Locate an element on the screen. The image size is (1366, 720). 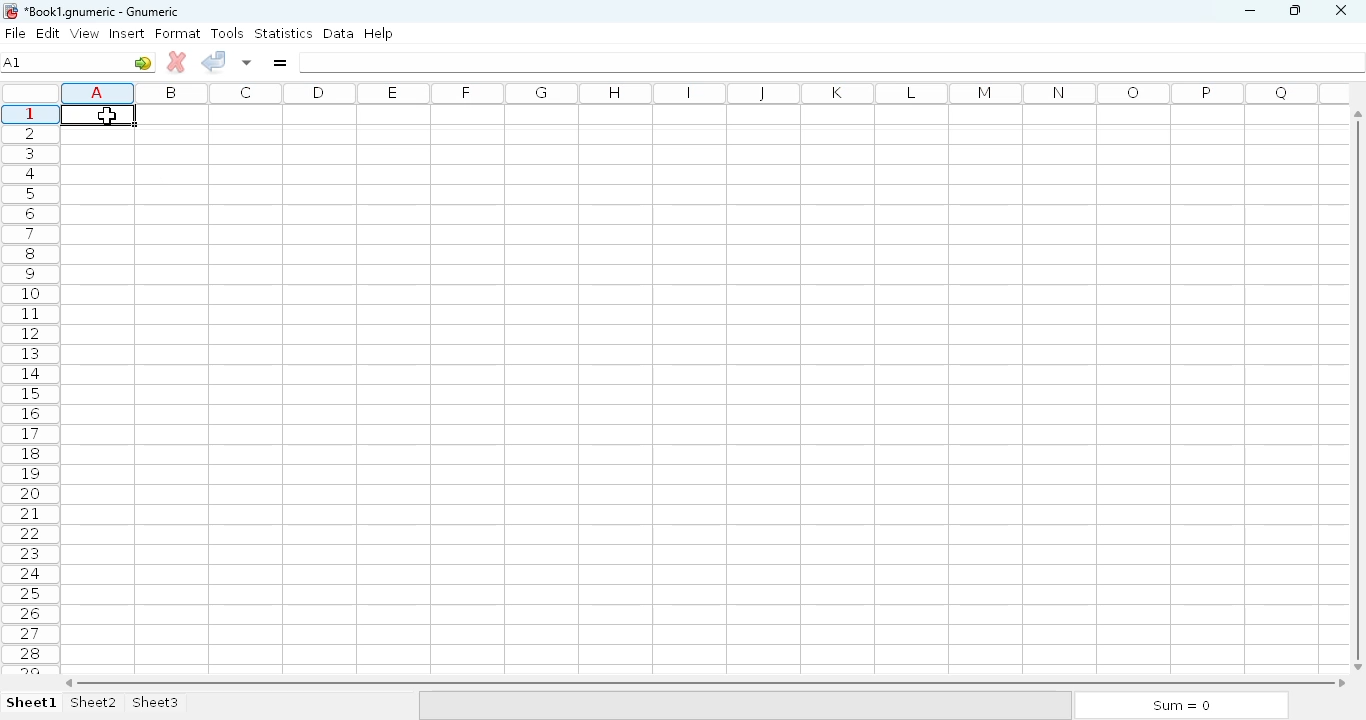
B5 is located at coordinates (13, 62).